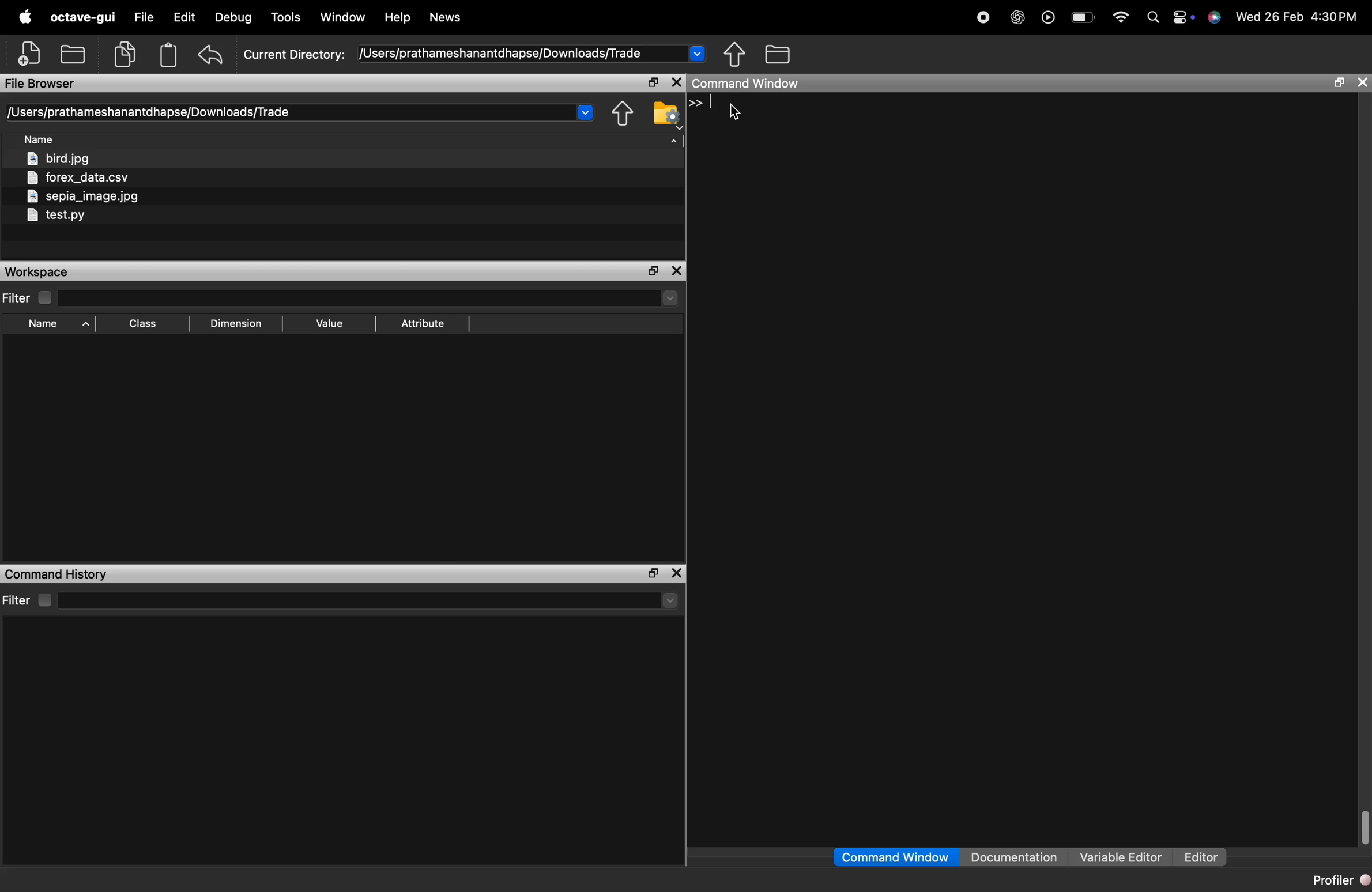 This screenshot has height=892, width=1372. What do you see at coordinates (31, 51) in the screenshot?
I see `add file` at bounding box center [31, 51].